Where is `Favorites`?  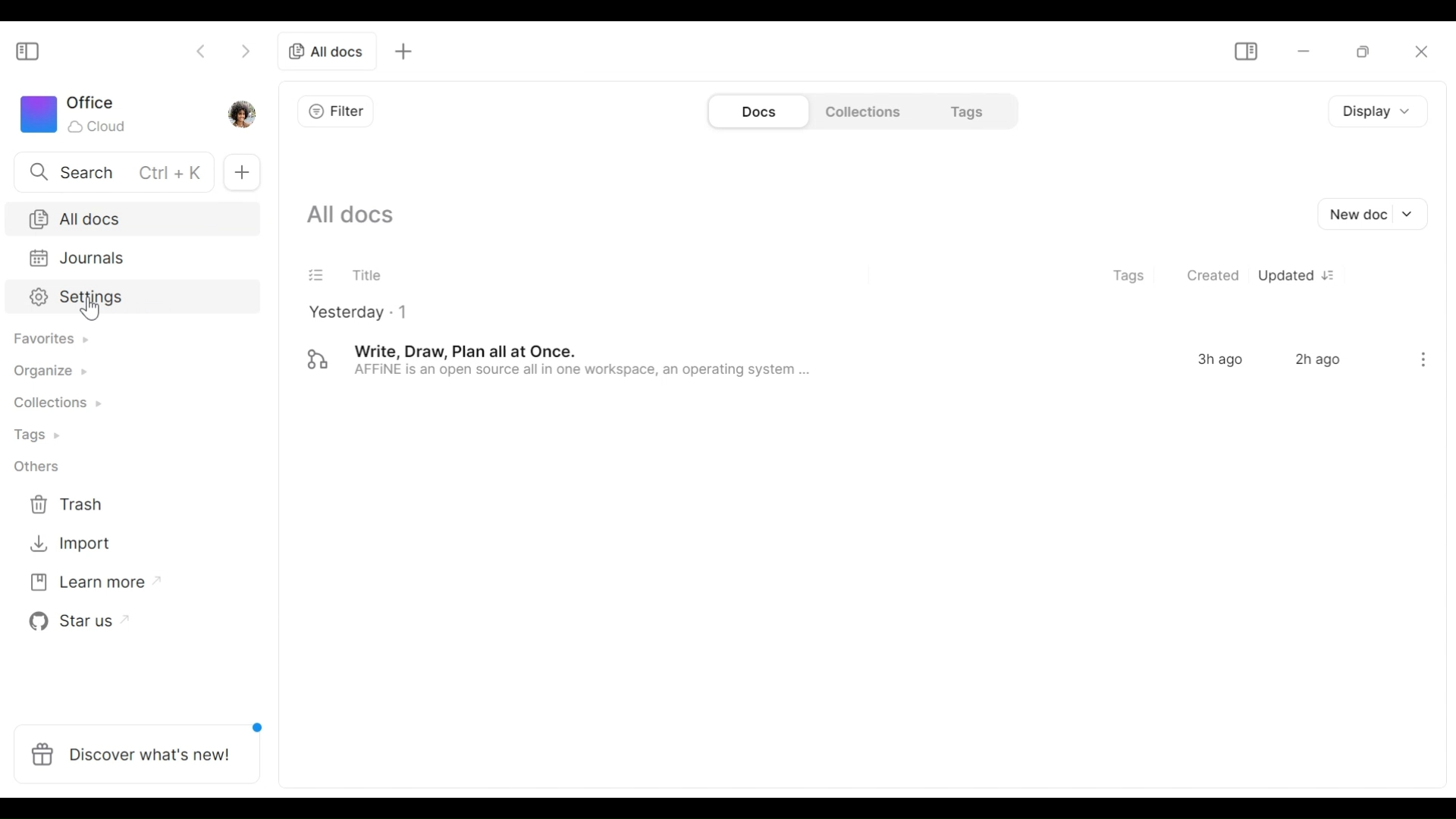 Favorites is located at coordinates (49, 339).